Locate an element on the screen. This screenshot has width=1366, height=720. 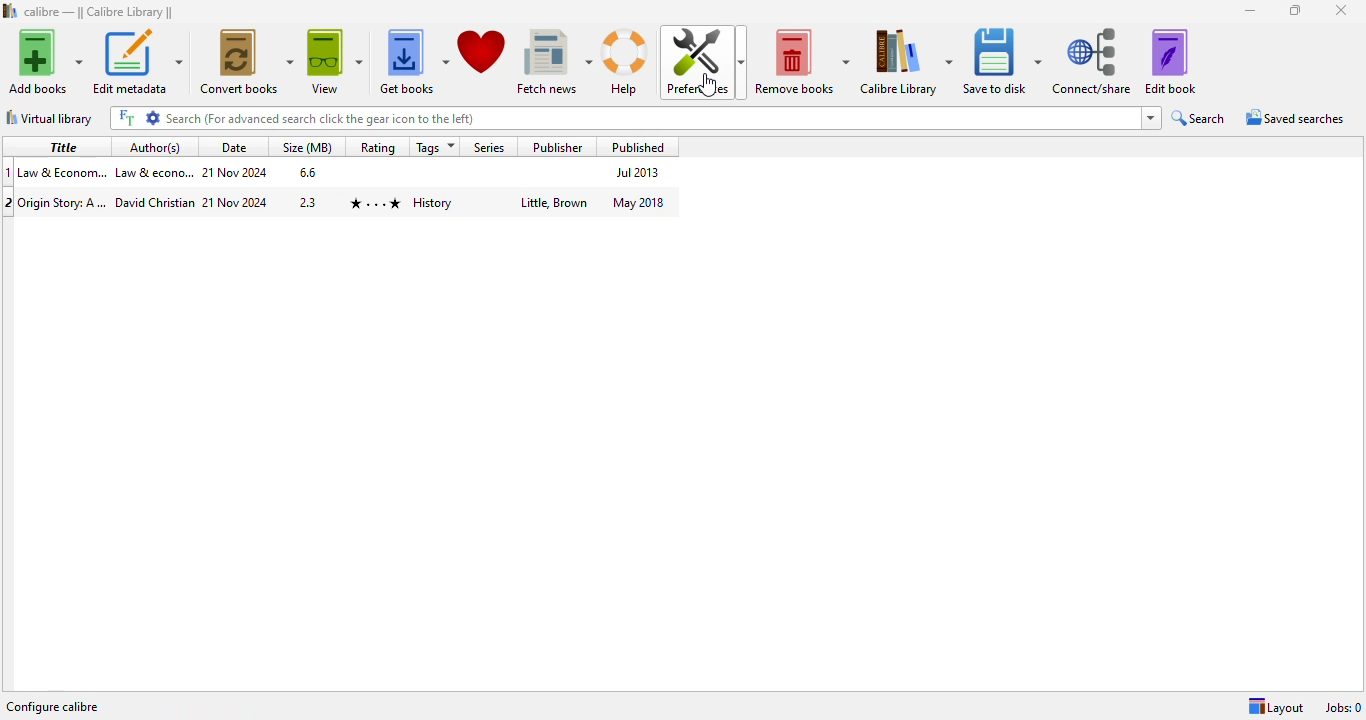
donate to support calibre is located at coordinates (482, 52).